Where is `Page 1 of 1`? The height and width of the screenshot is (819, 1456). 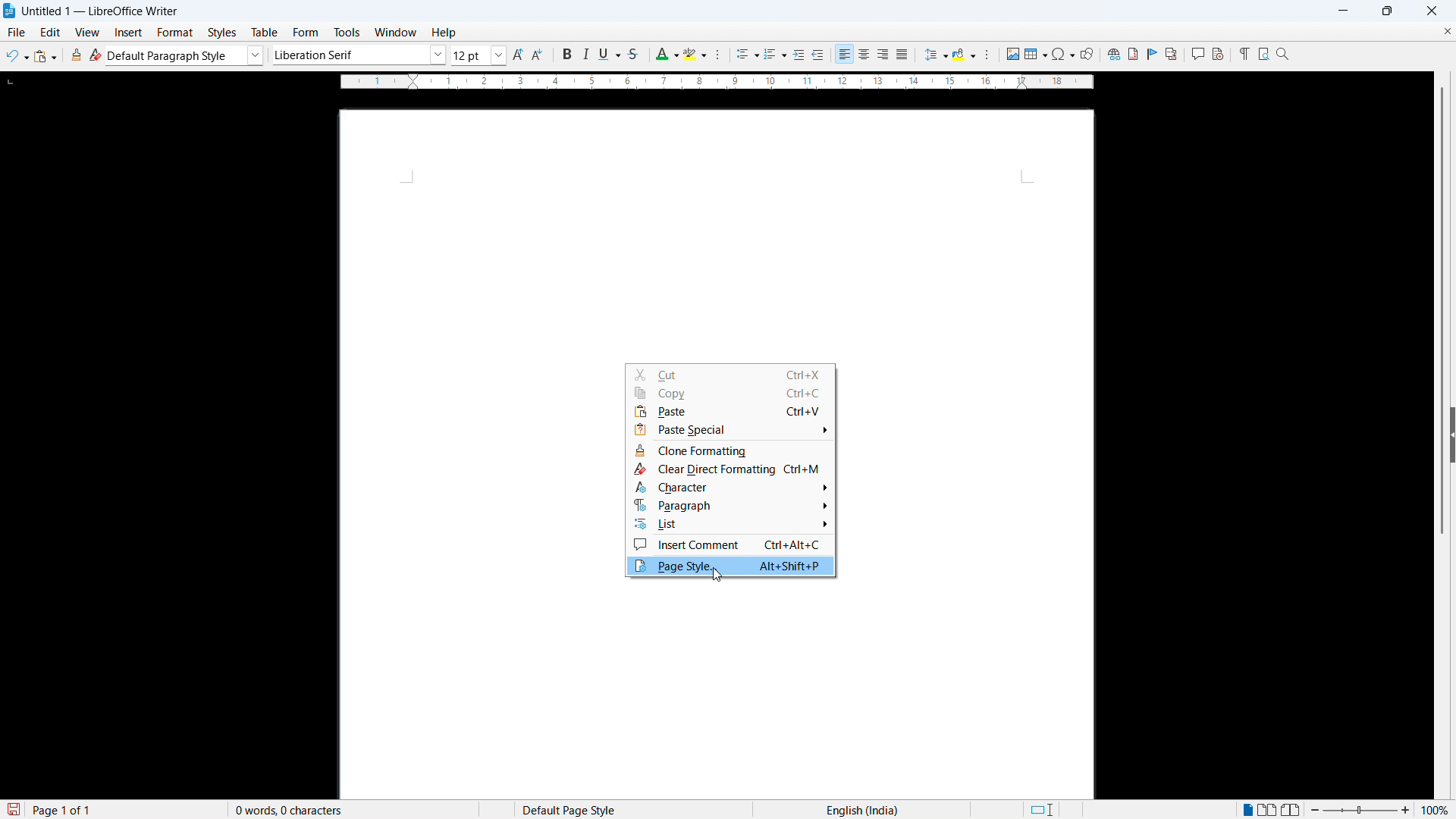
Page 1 of 1 is located at coordinates (63, 809).